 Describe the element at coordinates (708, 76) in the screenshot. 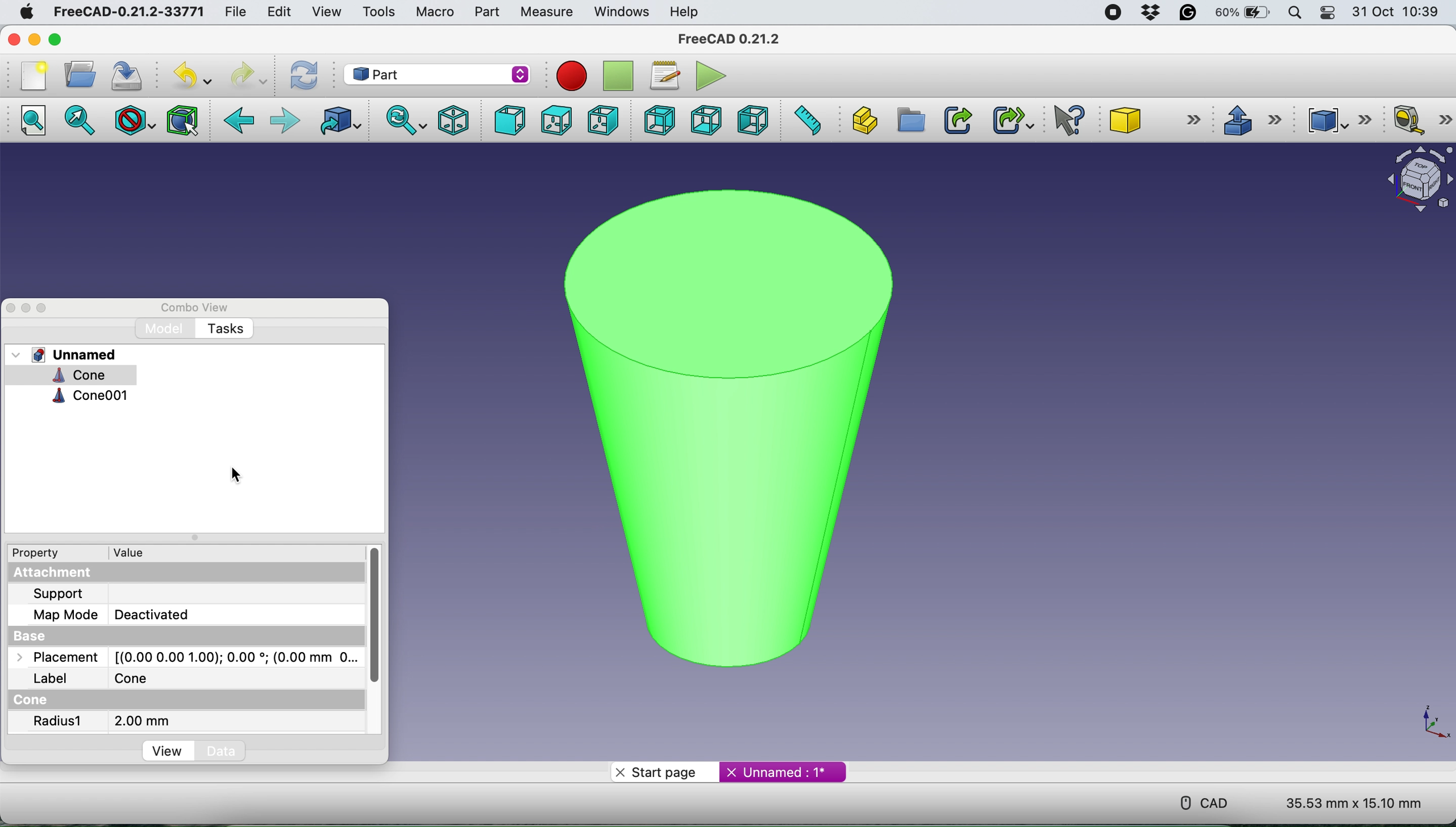

I see `execute macros` at that location.